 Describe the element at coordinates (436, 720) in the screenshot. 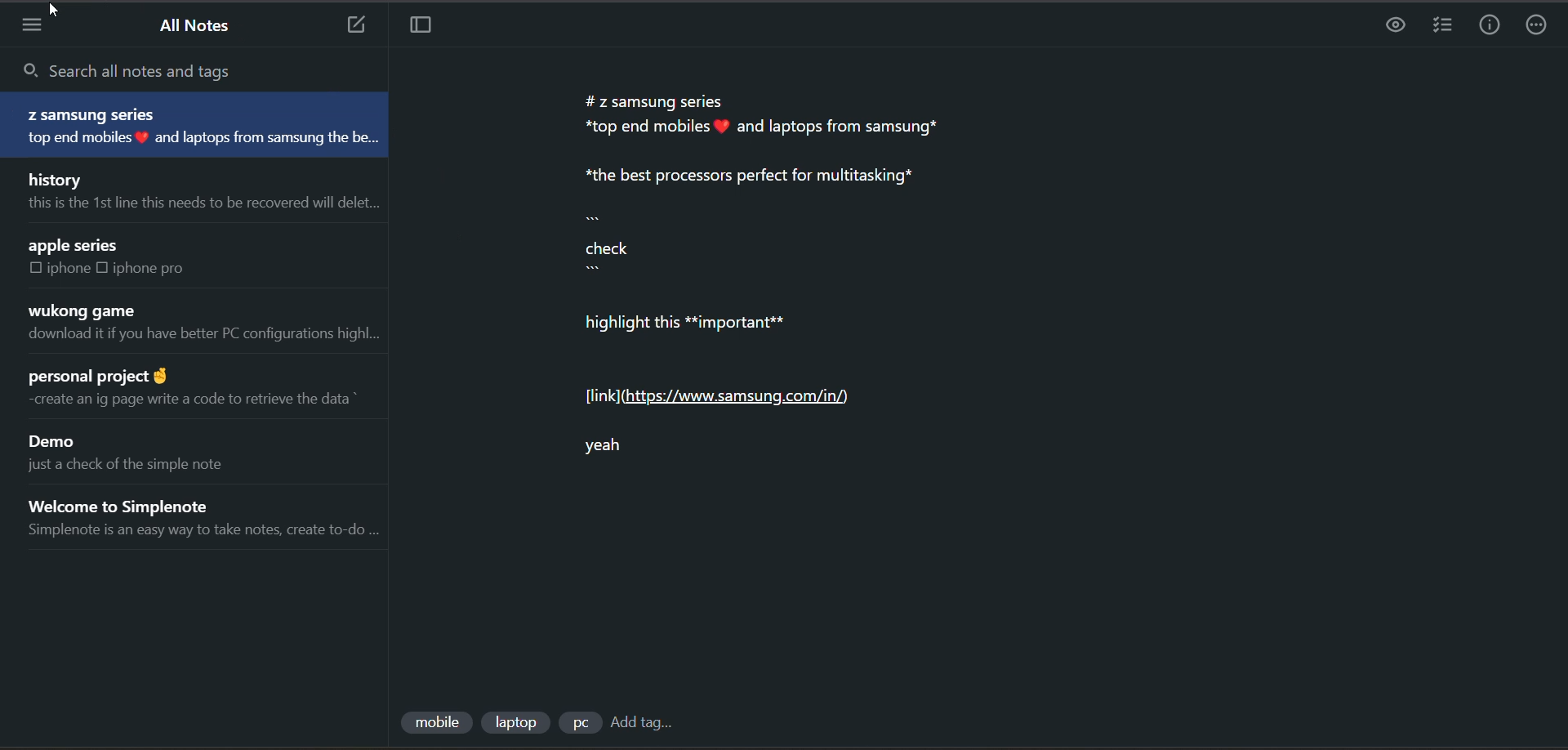

I see `tag 1` at that location.